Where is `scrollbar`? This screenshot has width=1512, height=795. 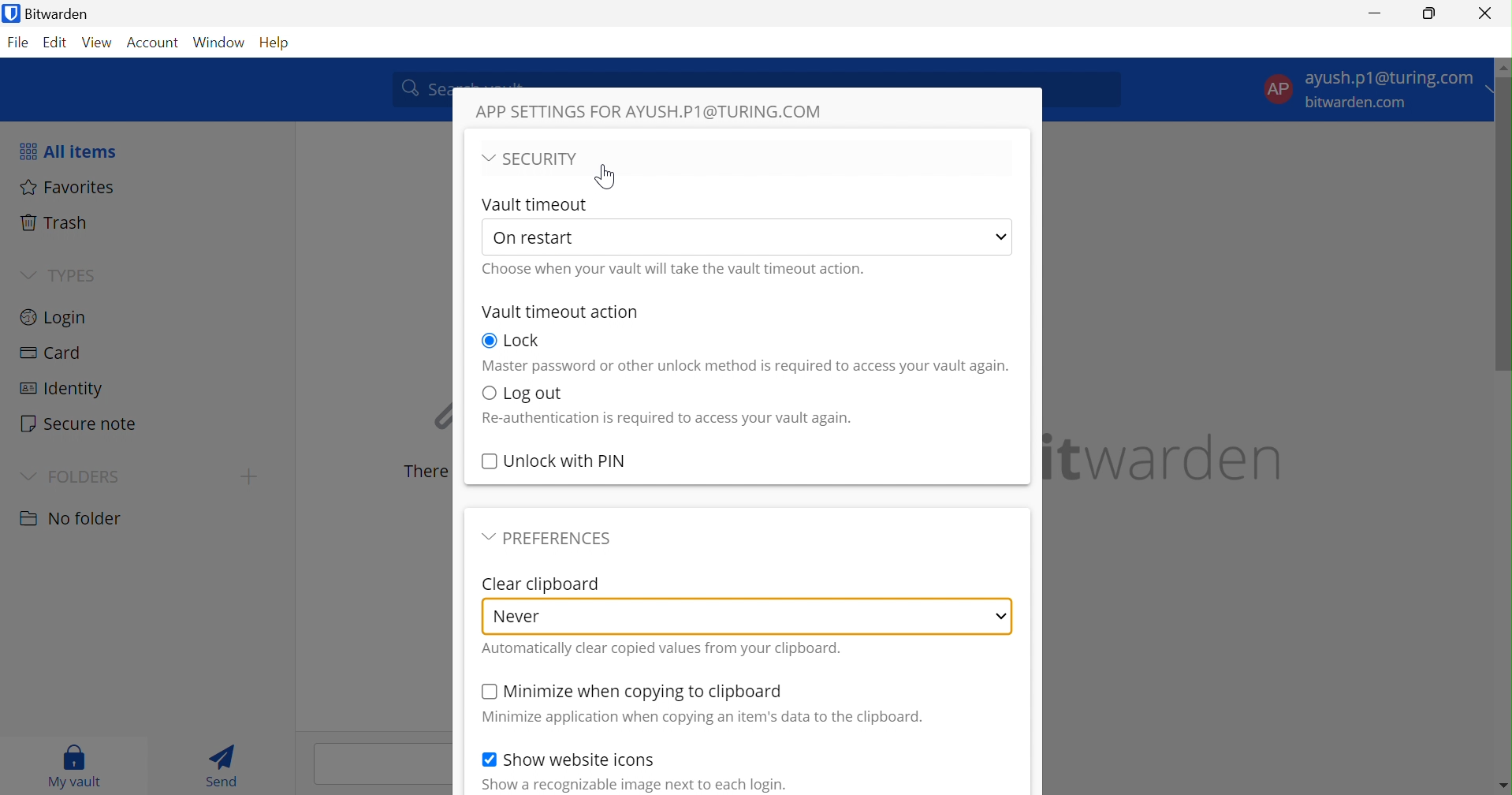 scrollbar is located at coordinates (1503, 227).